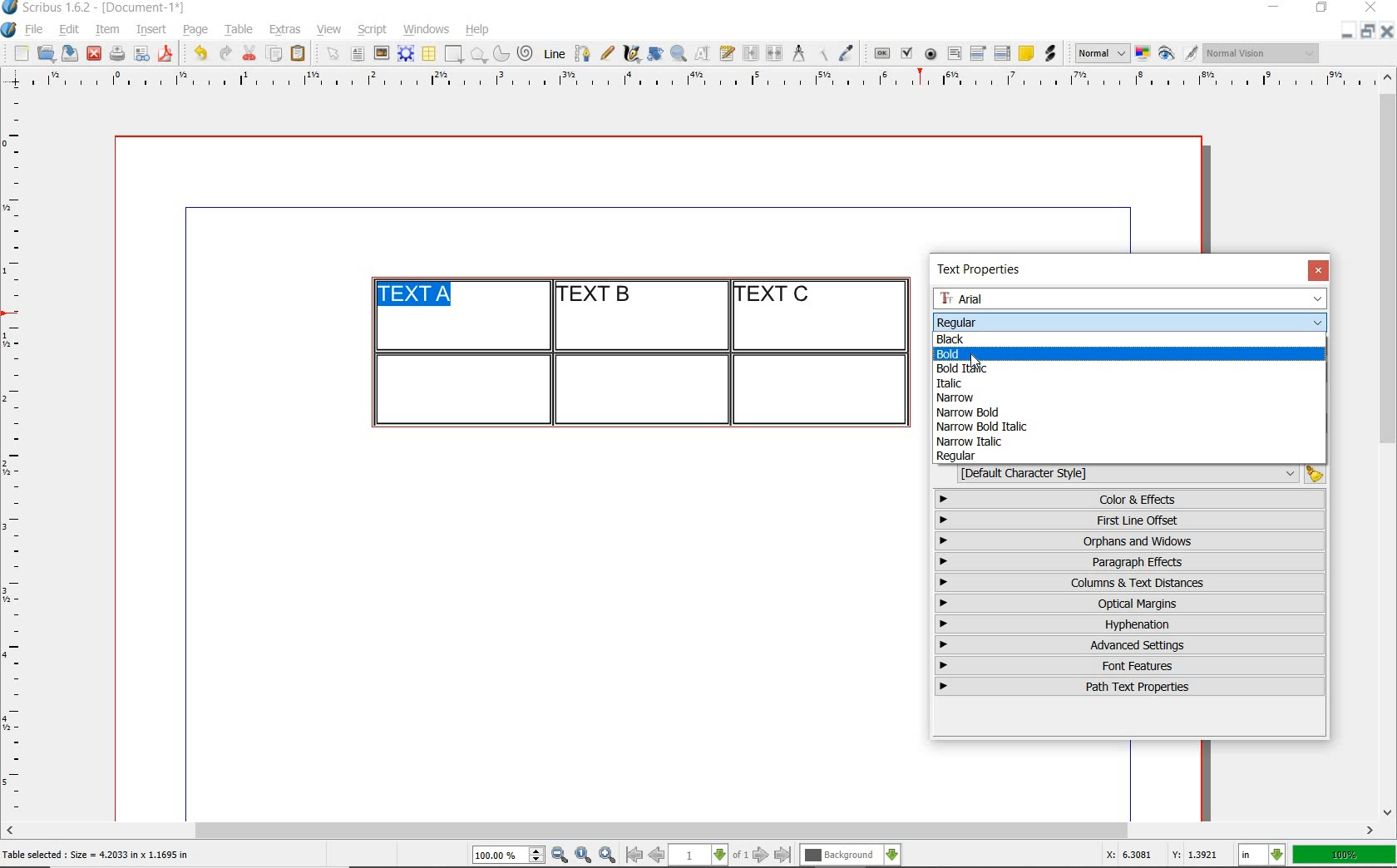 This screenshot has height=868, width=1397. What do you see at coordinates (957, 456) in the screenshot?
I see `regular` at bounding box center [957, 456].